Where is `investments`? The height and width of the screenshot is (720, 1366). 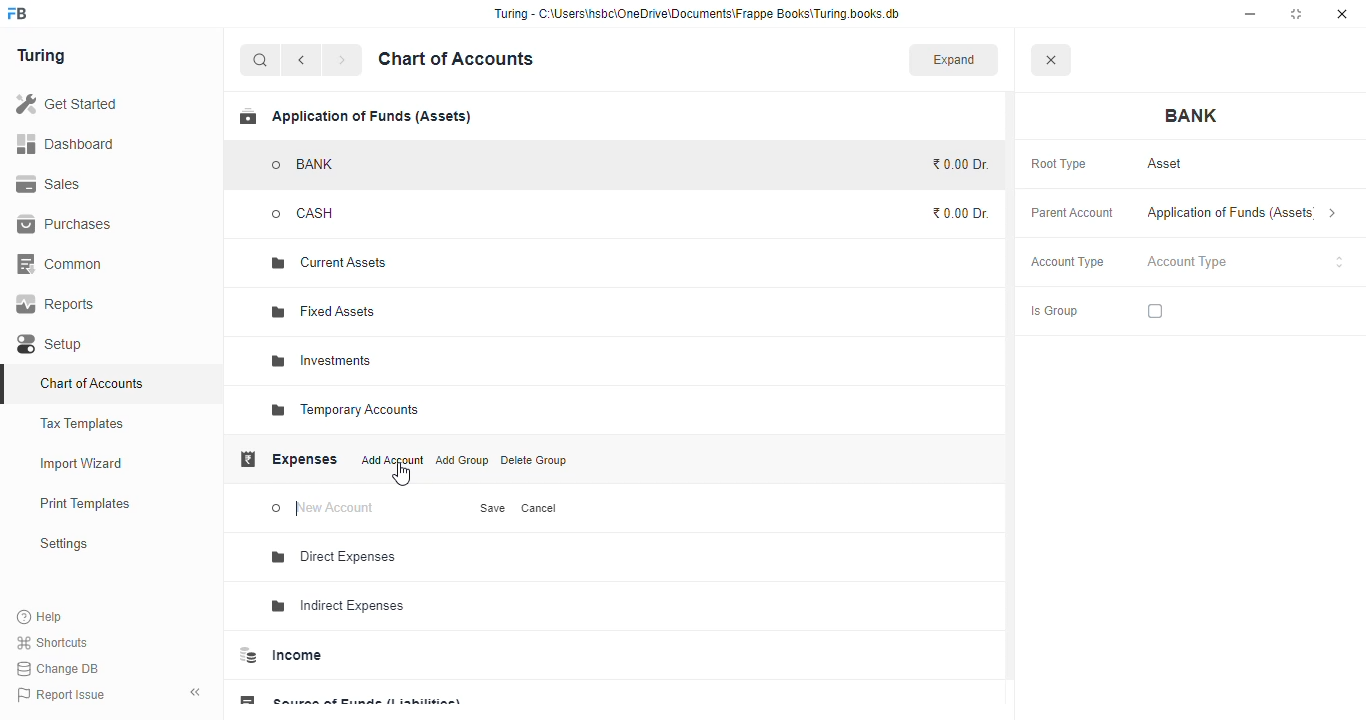 investments is located at coordinates (321, 361).